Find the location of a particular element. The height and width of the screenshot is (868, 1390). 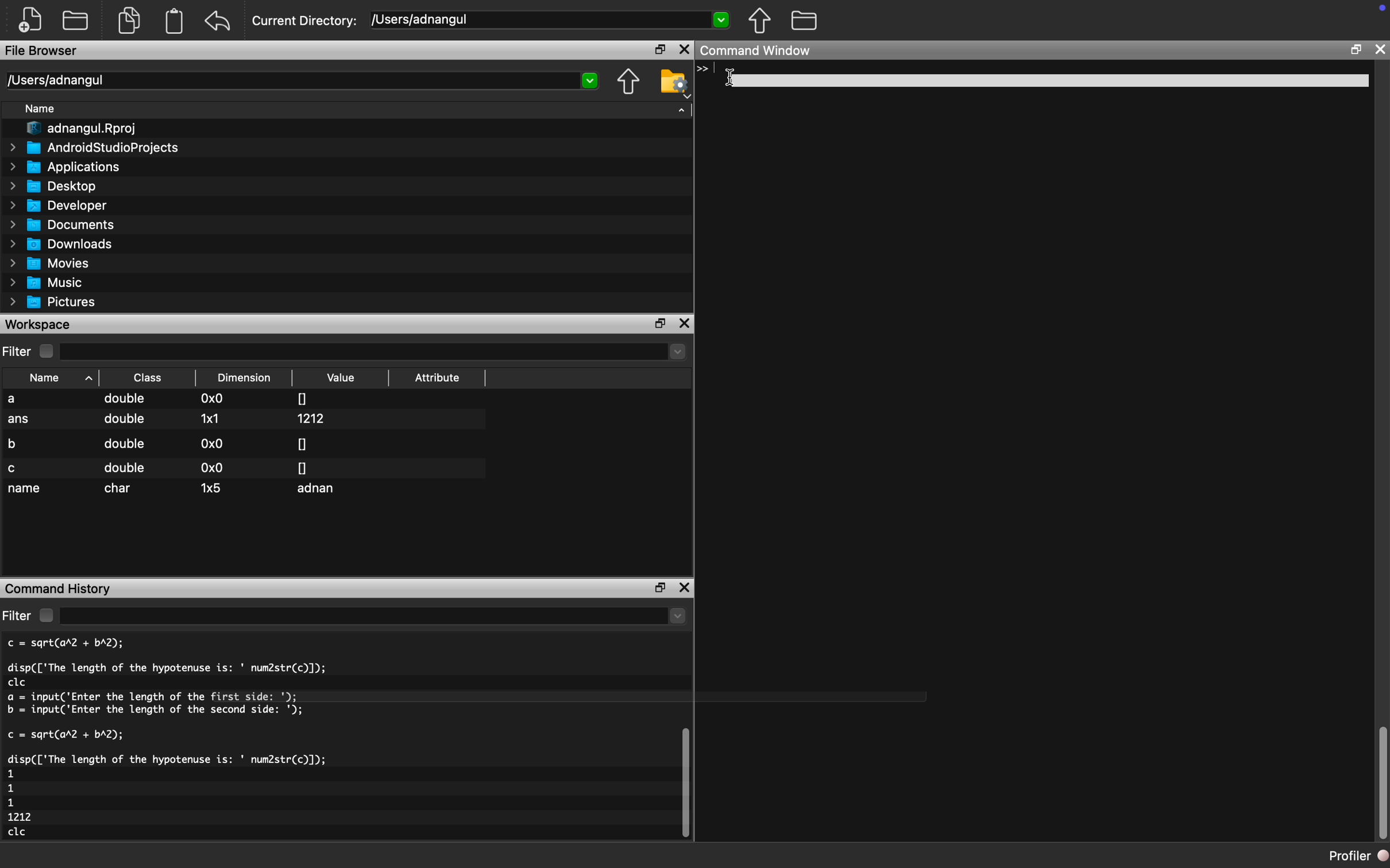

ans is located at coordinates (20, 421).